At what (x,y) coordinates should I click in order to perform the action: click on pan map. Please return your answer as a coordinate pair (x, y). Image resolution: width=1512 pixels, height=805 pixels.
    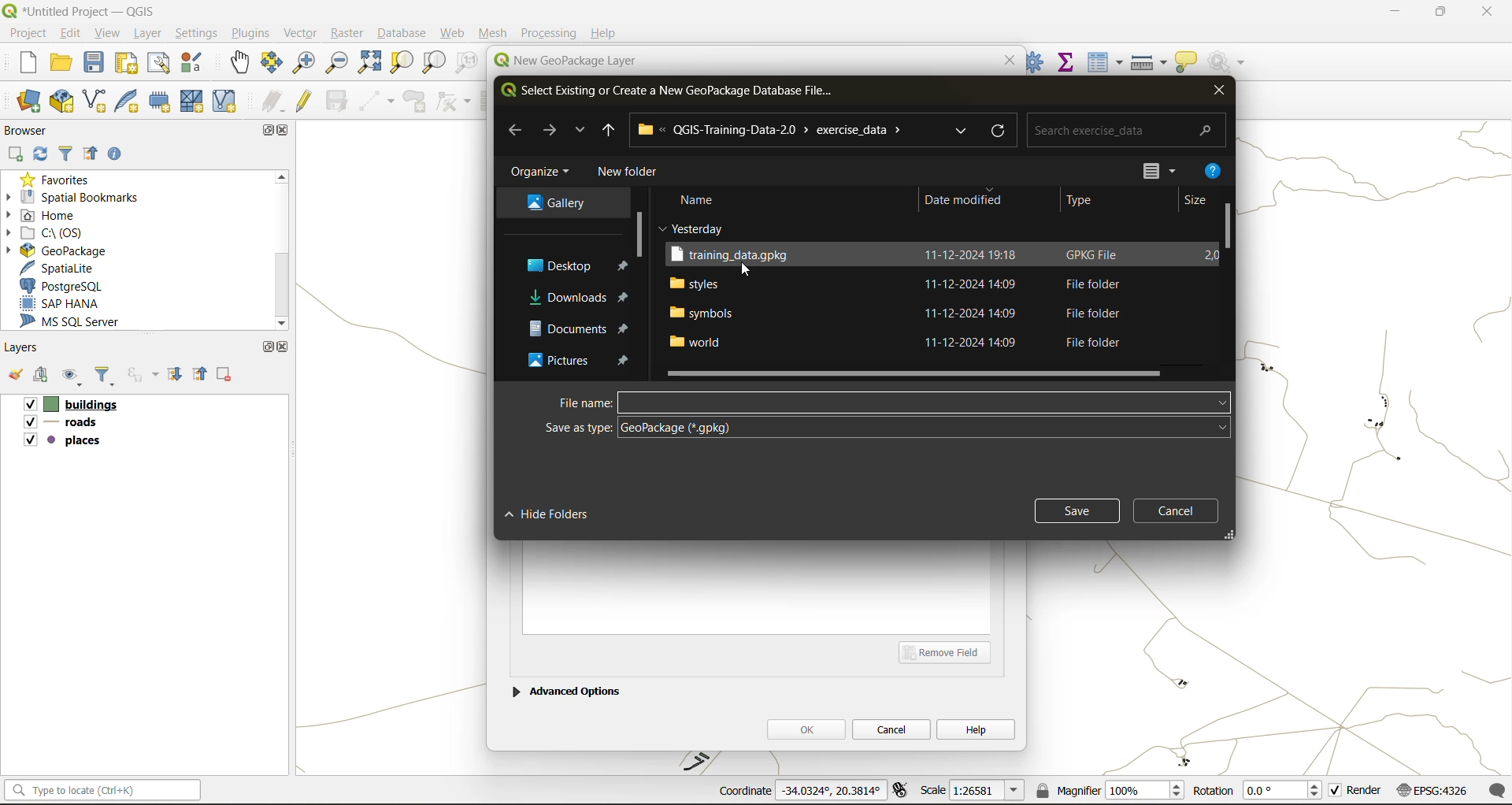
    Looking at the image, I should click on (240, 65).